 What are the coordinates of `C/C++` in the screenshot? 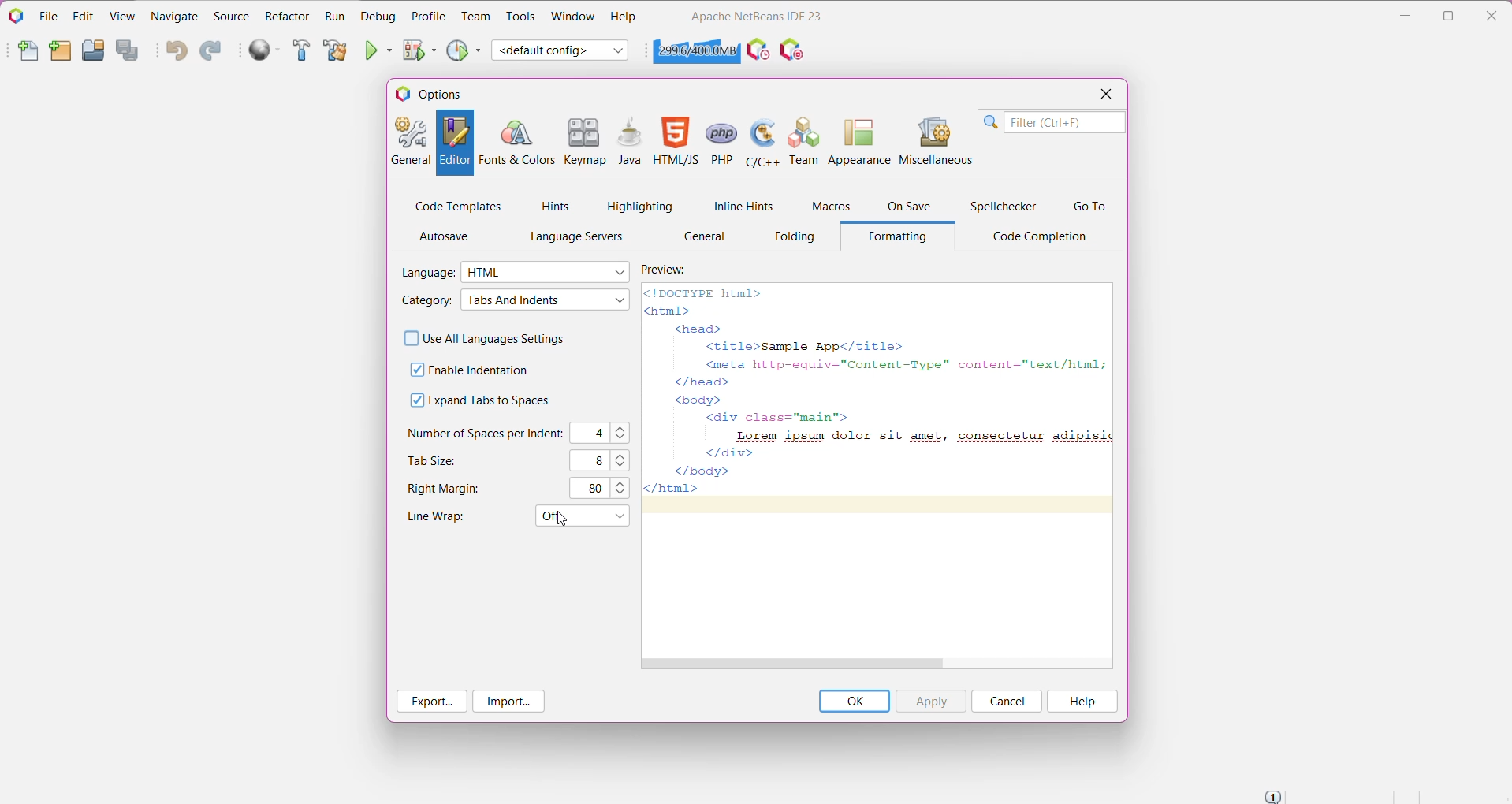 It's located at (761, 141).